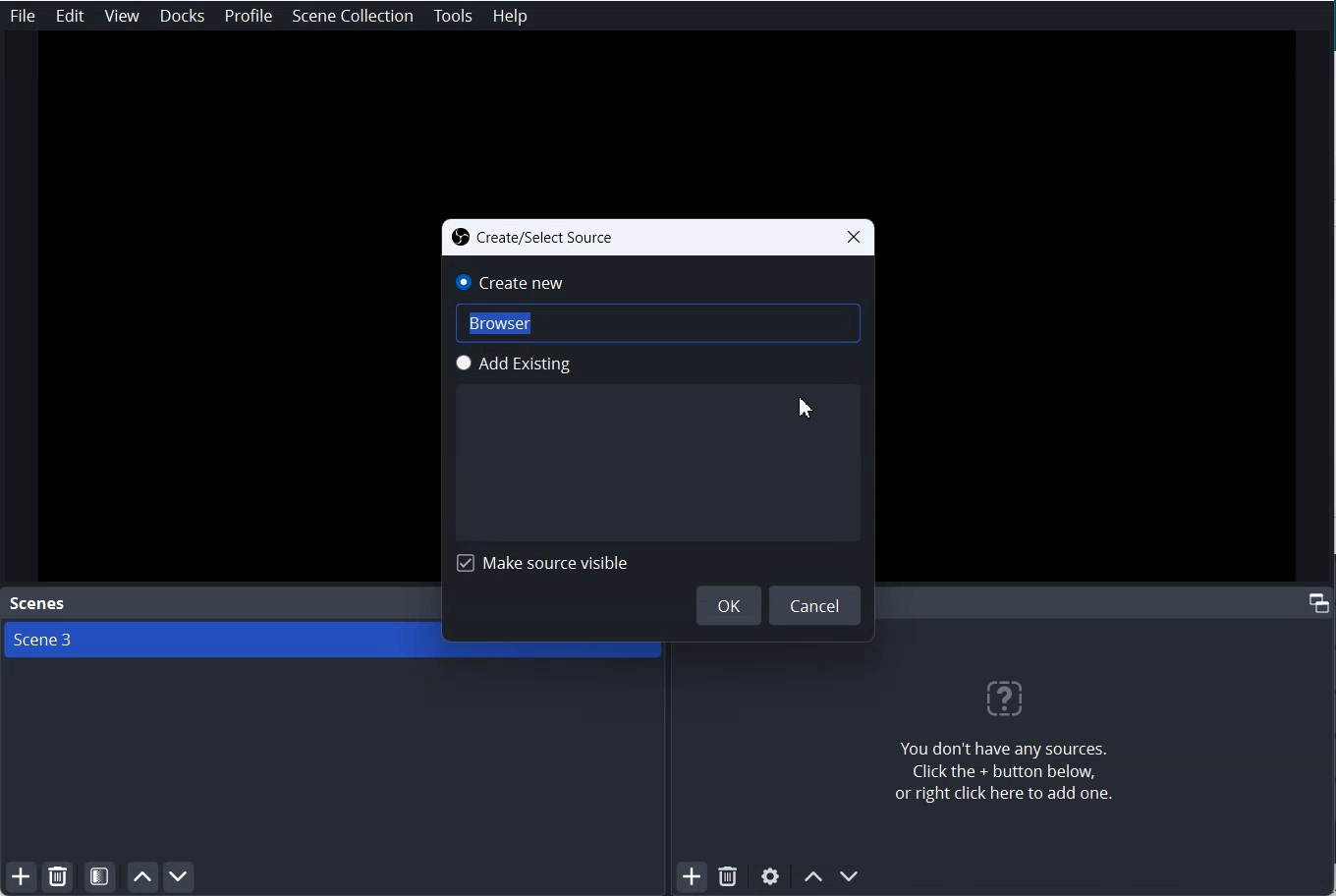 Image resolution: width=1336 pixels, height=896 pixels. I want to click on Scenes, so click(35, 603).